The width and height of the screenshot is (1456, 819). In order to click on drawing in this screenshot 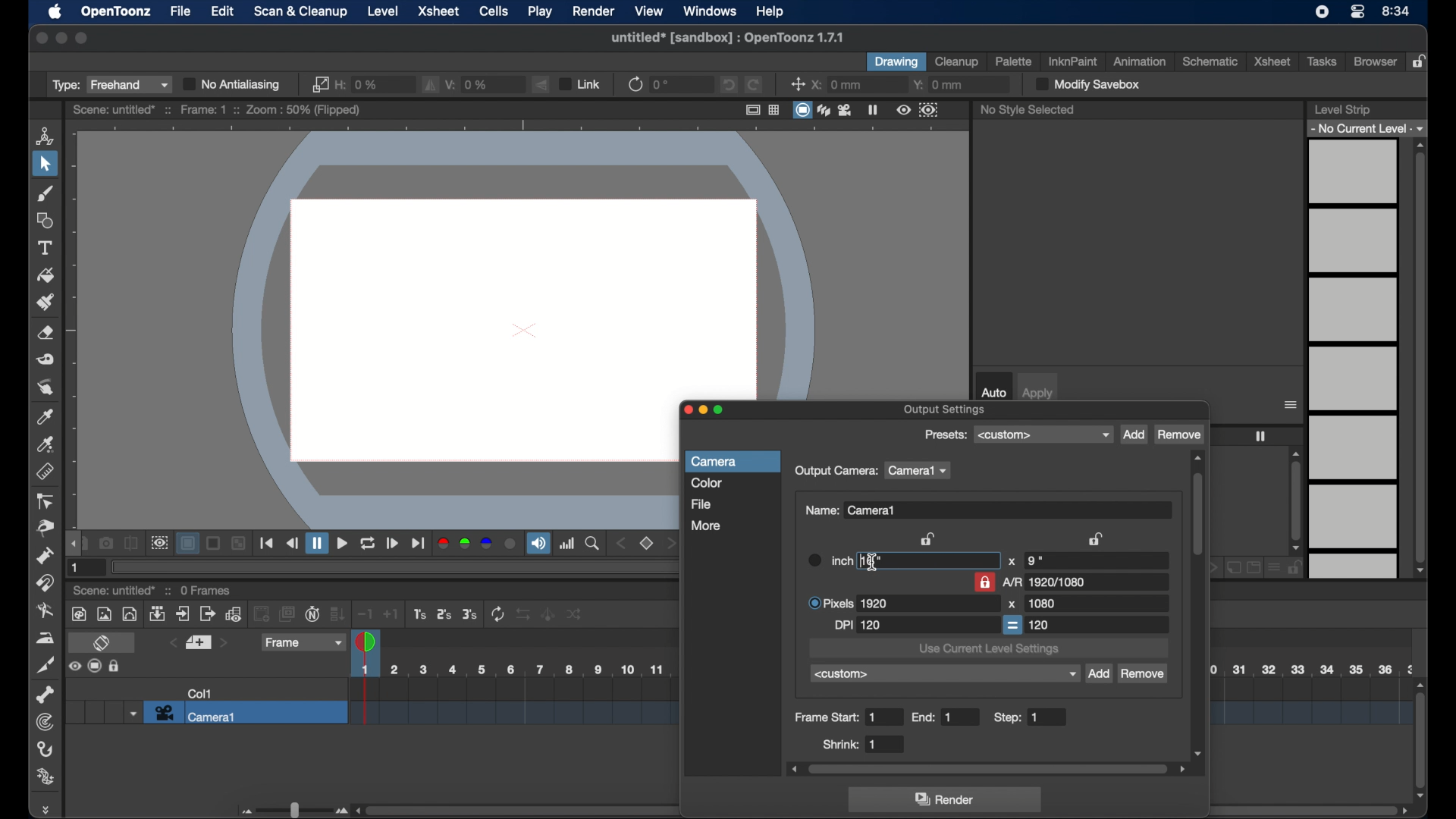, I will do `click(896, 62)`.